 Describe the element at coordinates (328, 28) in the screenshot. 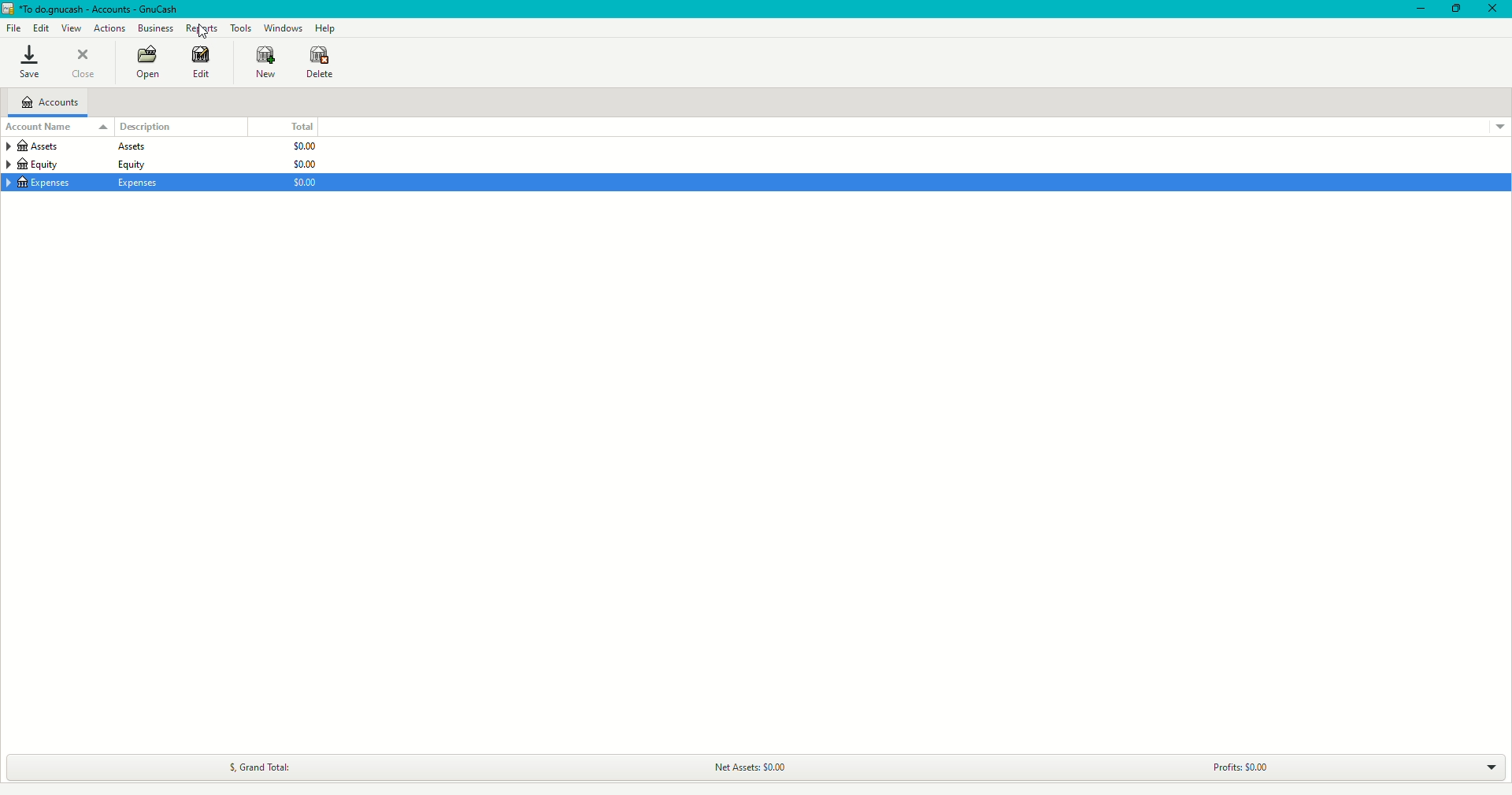

I see `Help` at that location.